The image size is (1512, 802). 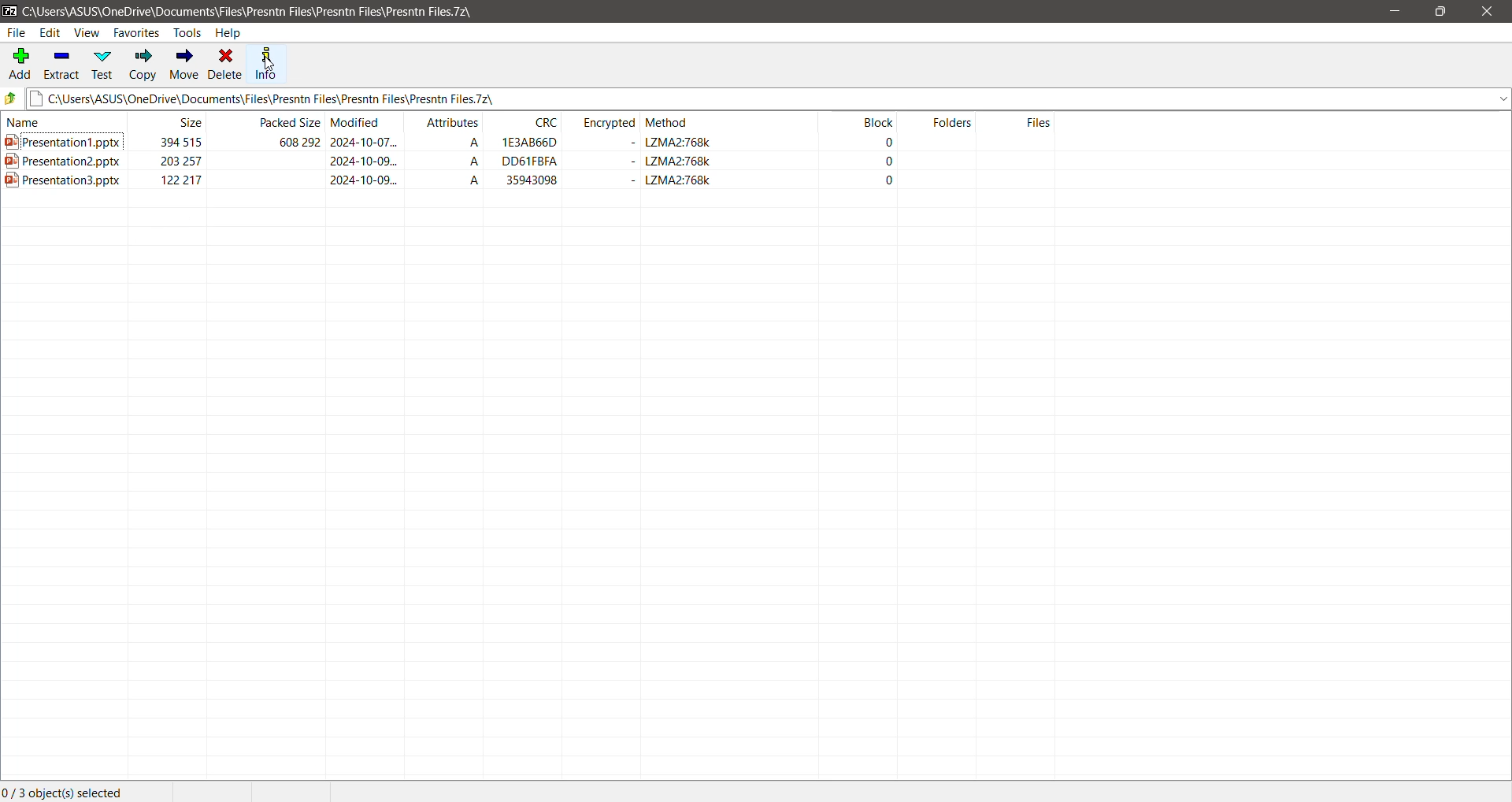 I want to click on size, so click(x=197, y=123).